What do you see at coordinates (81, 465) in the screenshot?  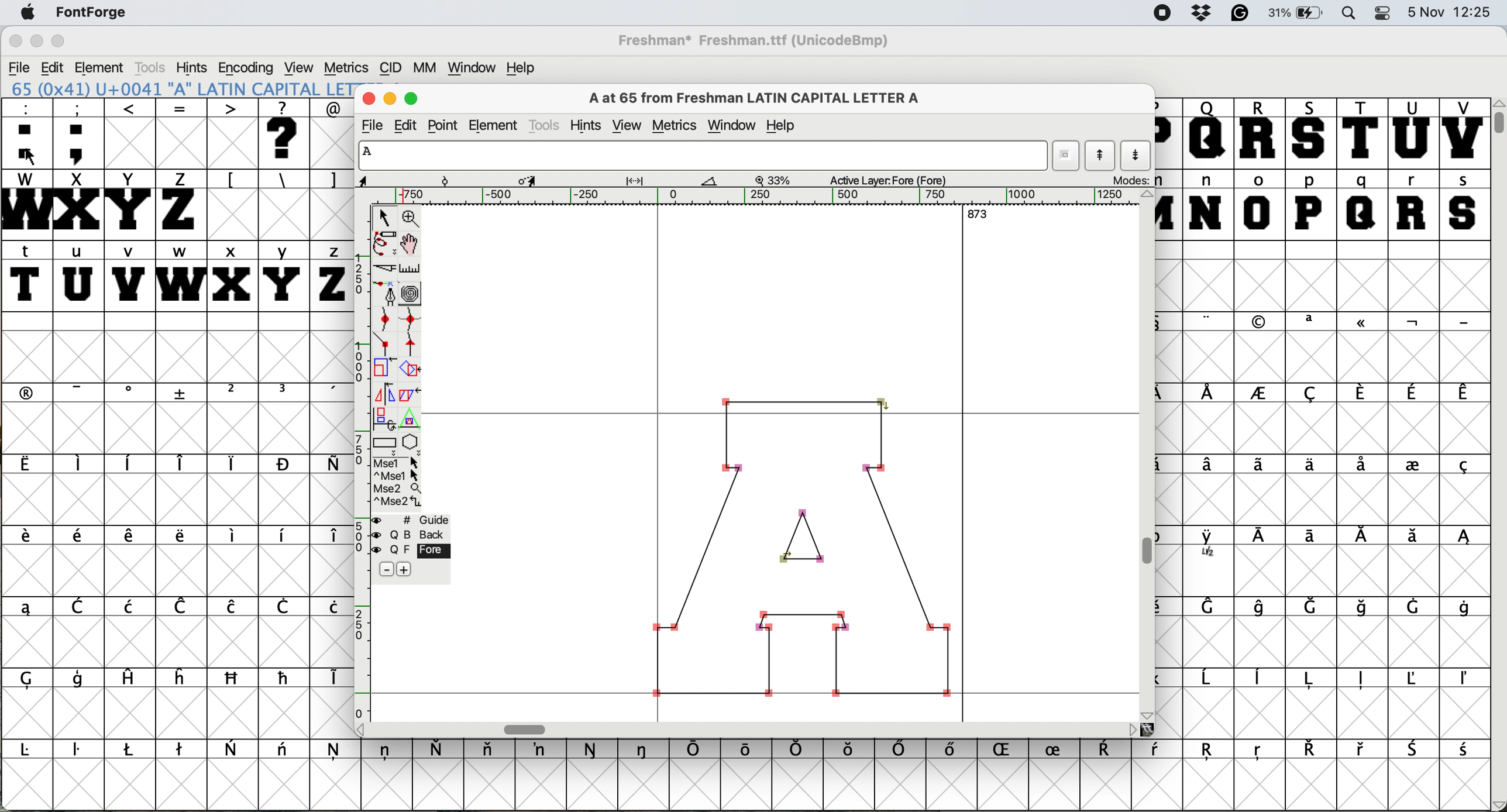 I see `symbol` at bounding box center [81, 465].